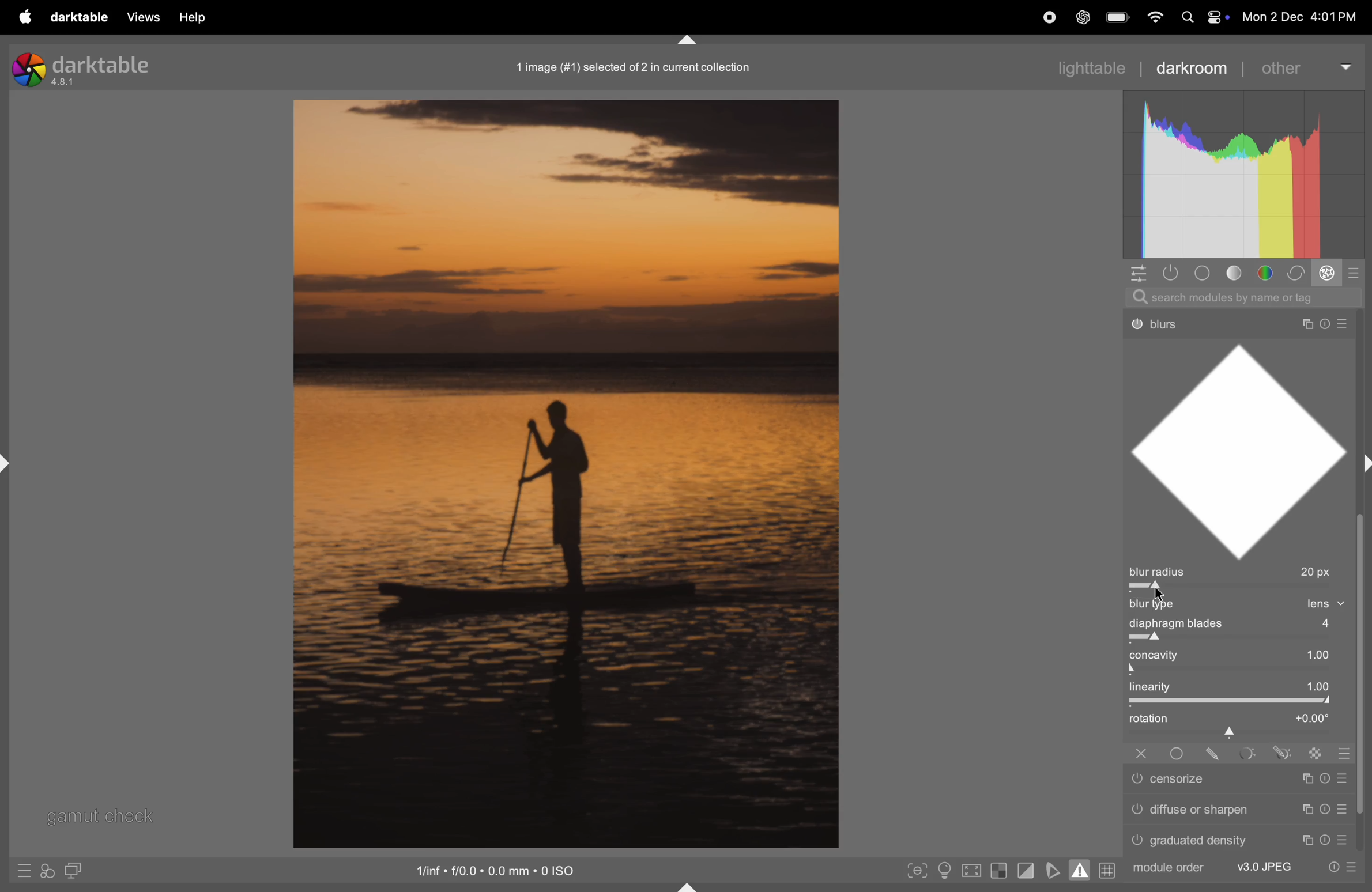 This screenshot has width=1372, height=892. What do you see at coordinates (1081, 869) in the screenshot?
I see `toggle gamut checking` at bounding box center [1081, 869].